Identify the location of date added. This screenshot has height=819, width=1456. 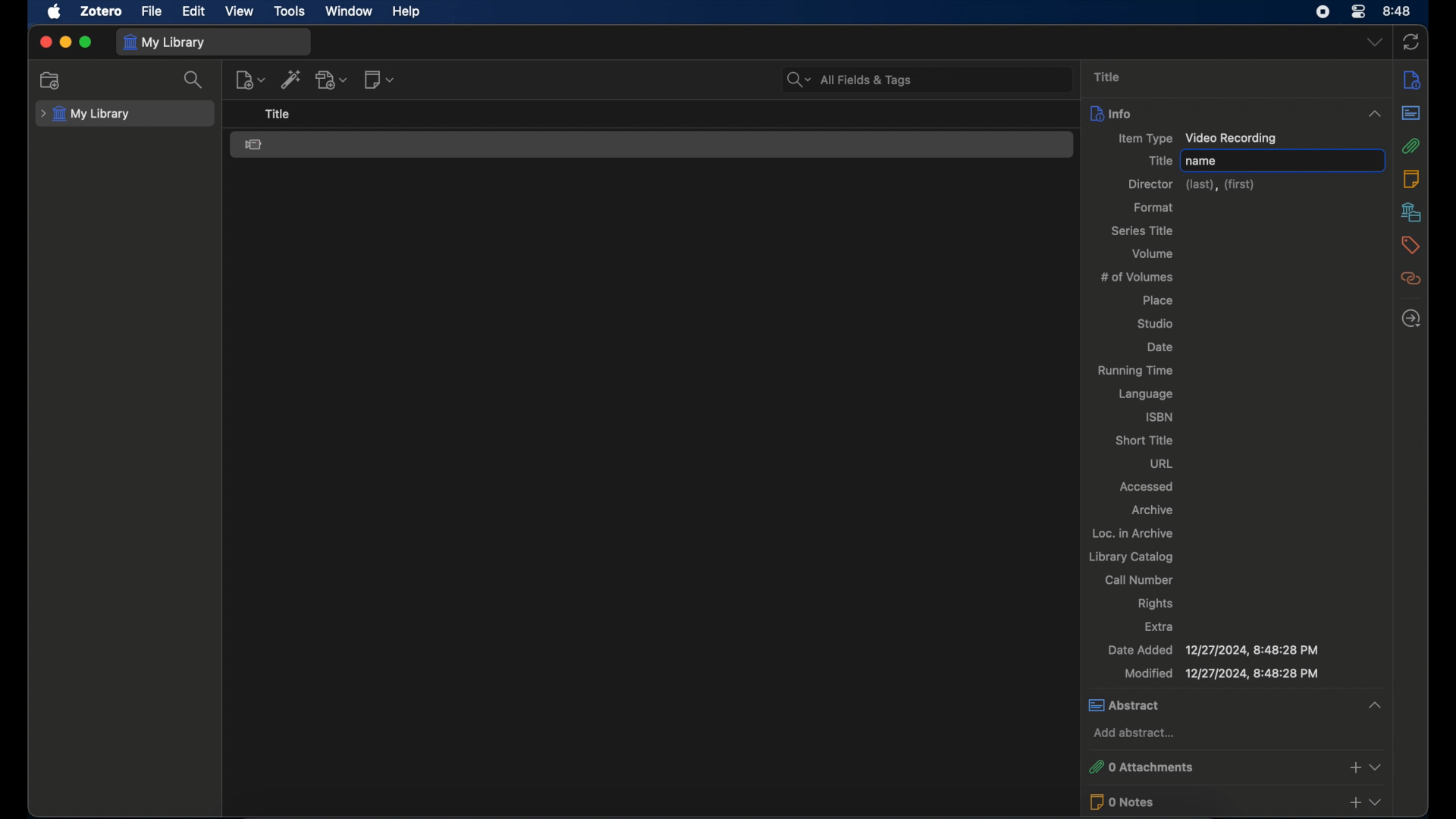
(1212, 650).